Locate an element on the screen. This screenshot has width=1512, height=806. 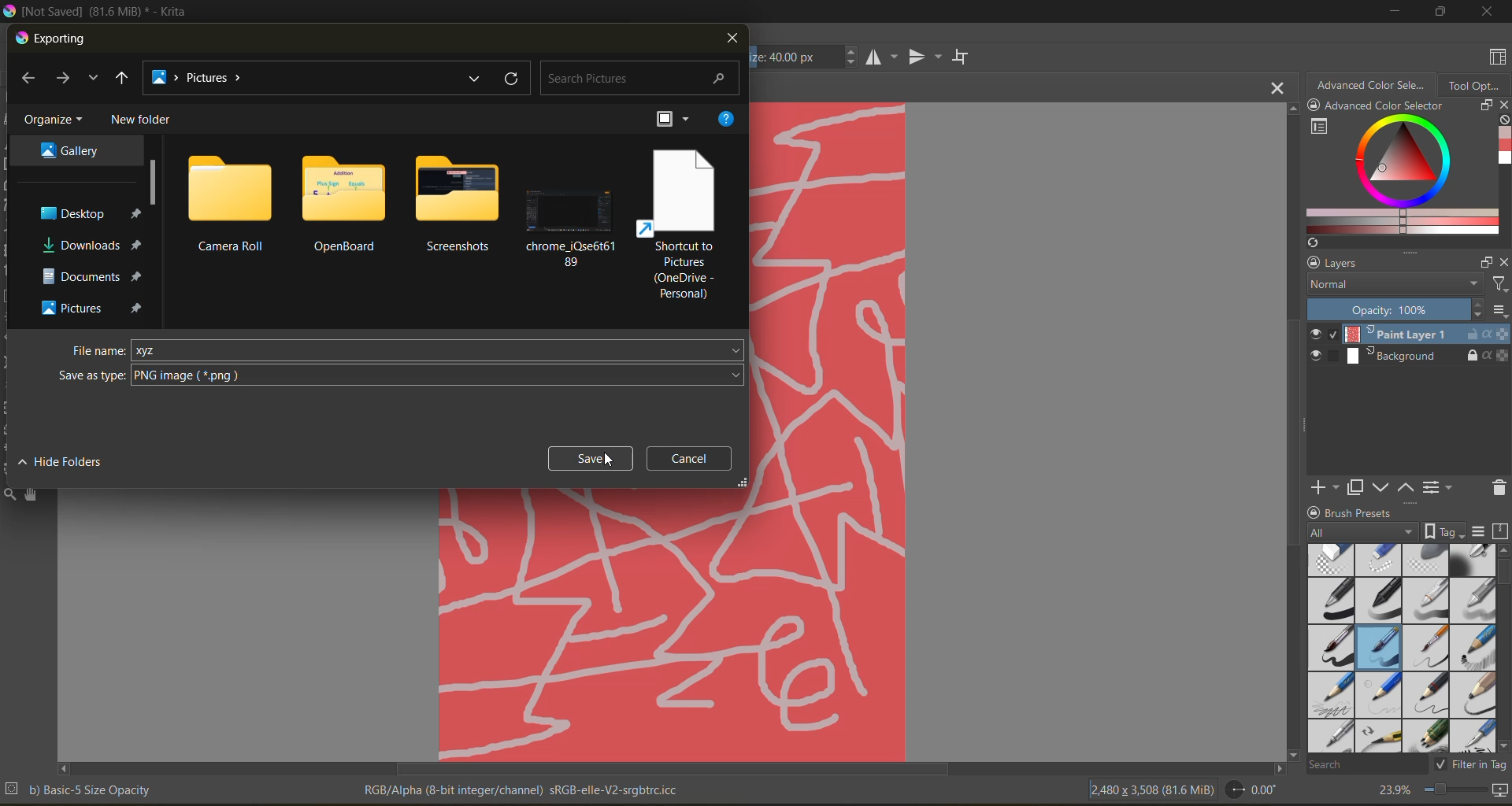
opacity is located at coordinates (1408, 310).